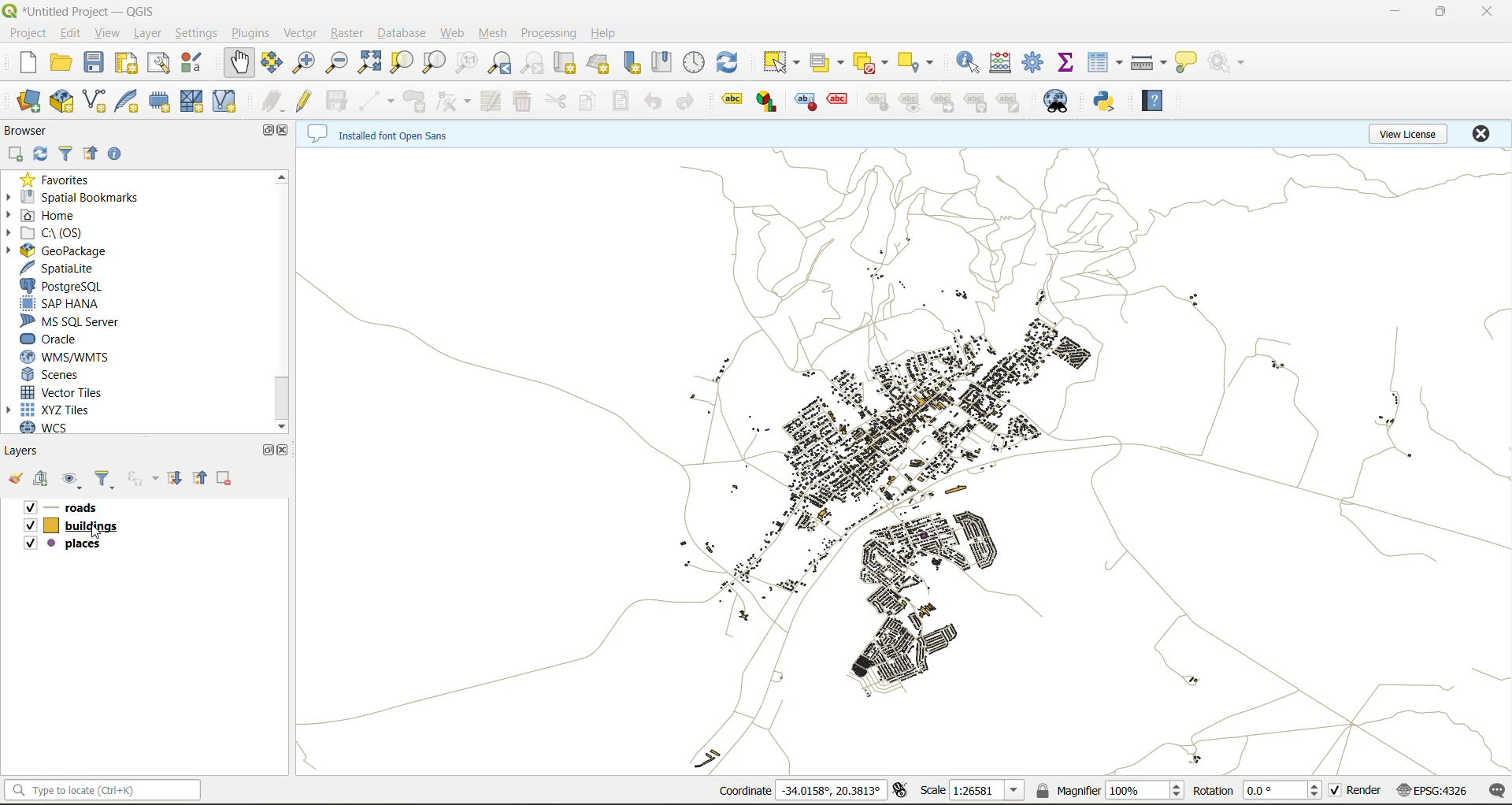 The width and height of the screenshot is (1512, 805). What do you see at coordinates (382, 133) in the screenshot?
I see `metadata` at bounding box center [382, 133].